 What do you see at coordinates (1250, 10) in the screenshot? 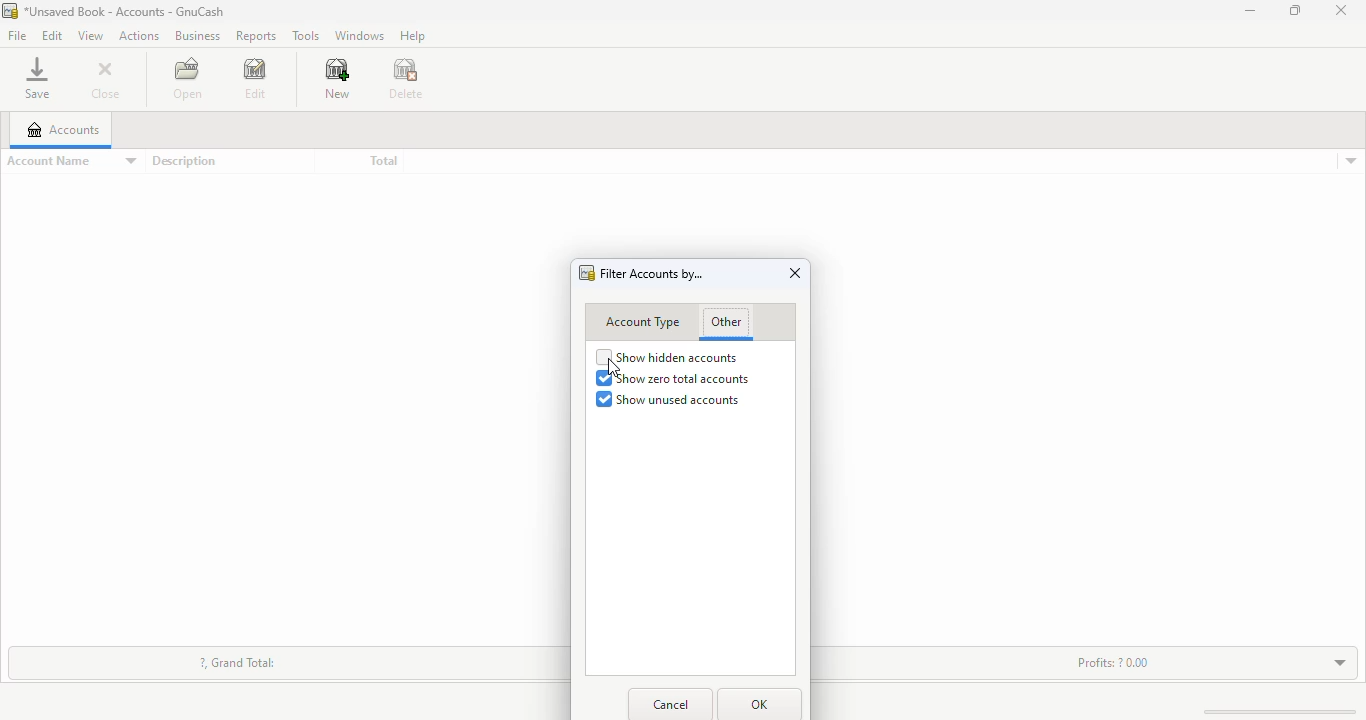
I see `minimize` at bounding box center [1250, 10].